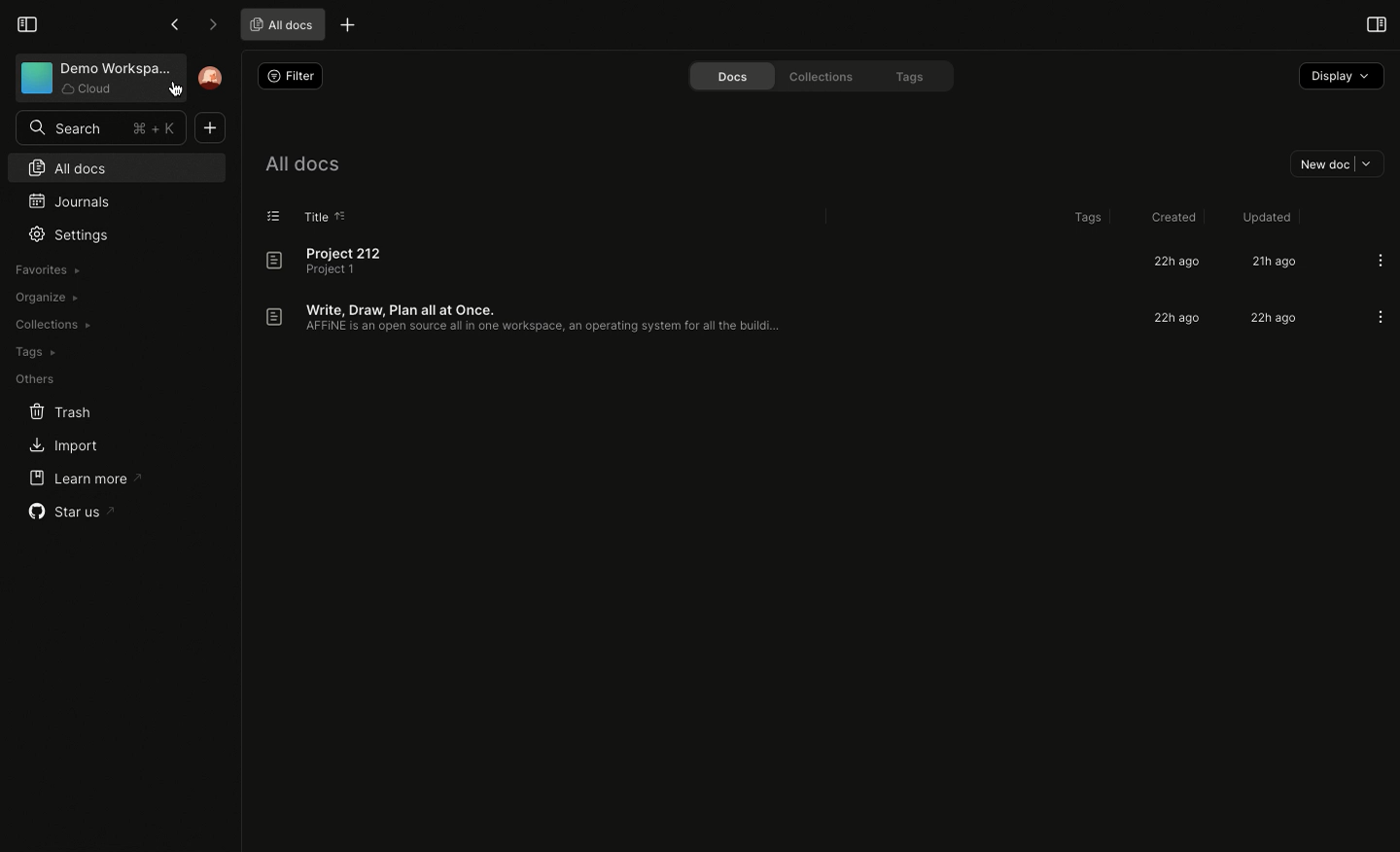 The image size is (1400, 852). I want to click on Search, so click(101, 127).